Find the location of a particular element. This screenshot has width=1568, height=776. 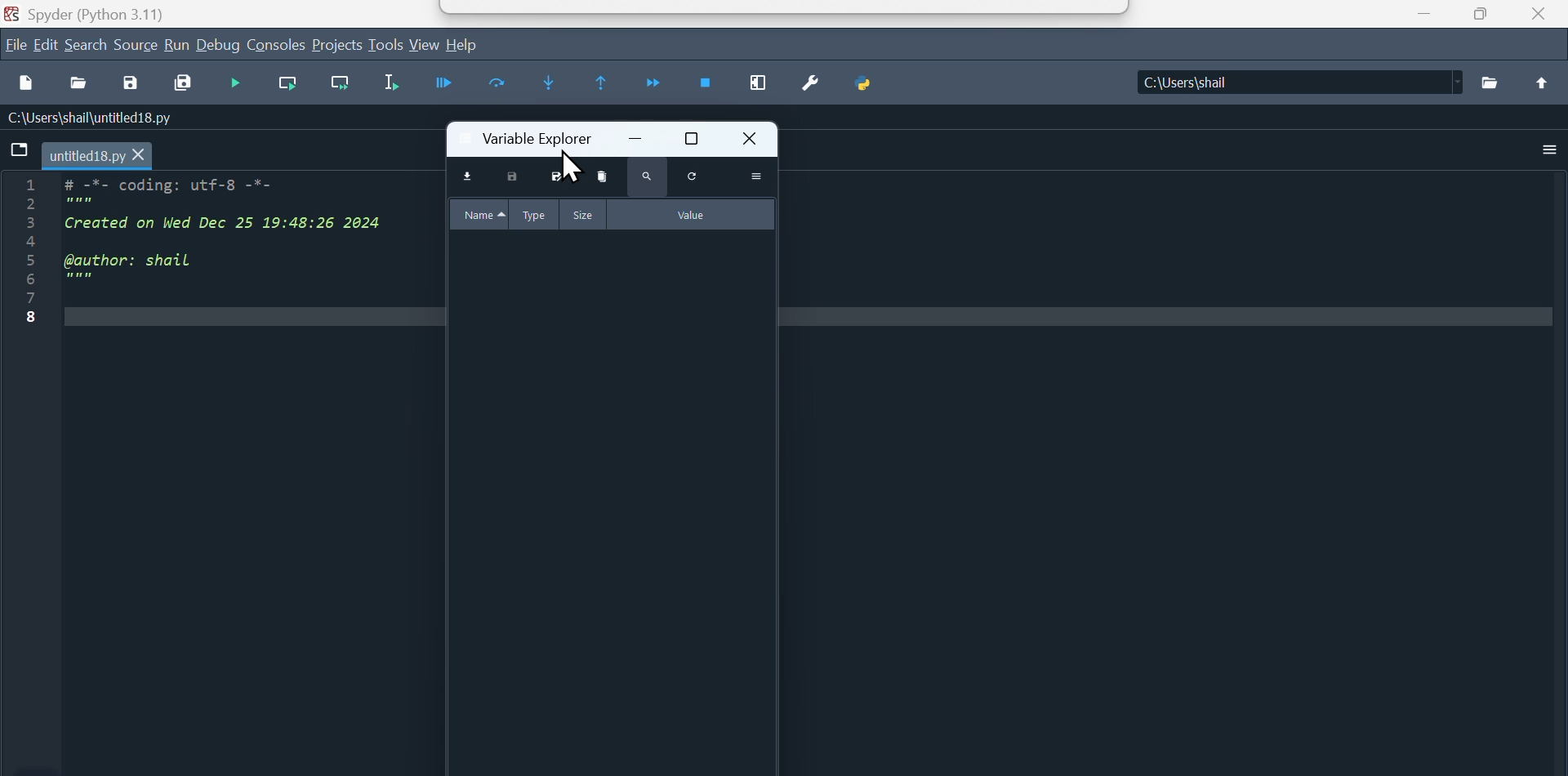

Debug is located at coordinates (218, 44).